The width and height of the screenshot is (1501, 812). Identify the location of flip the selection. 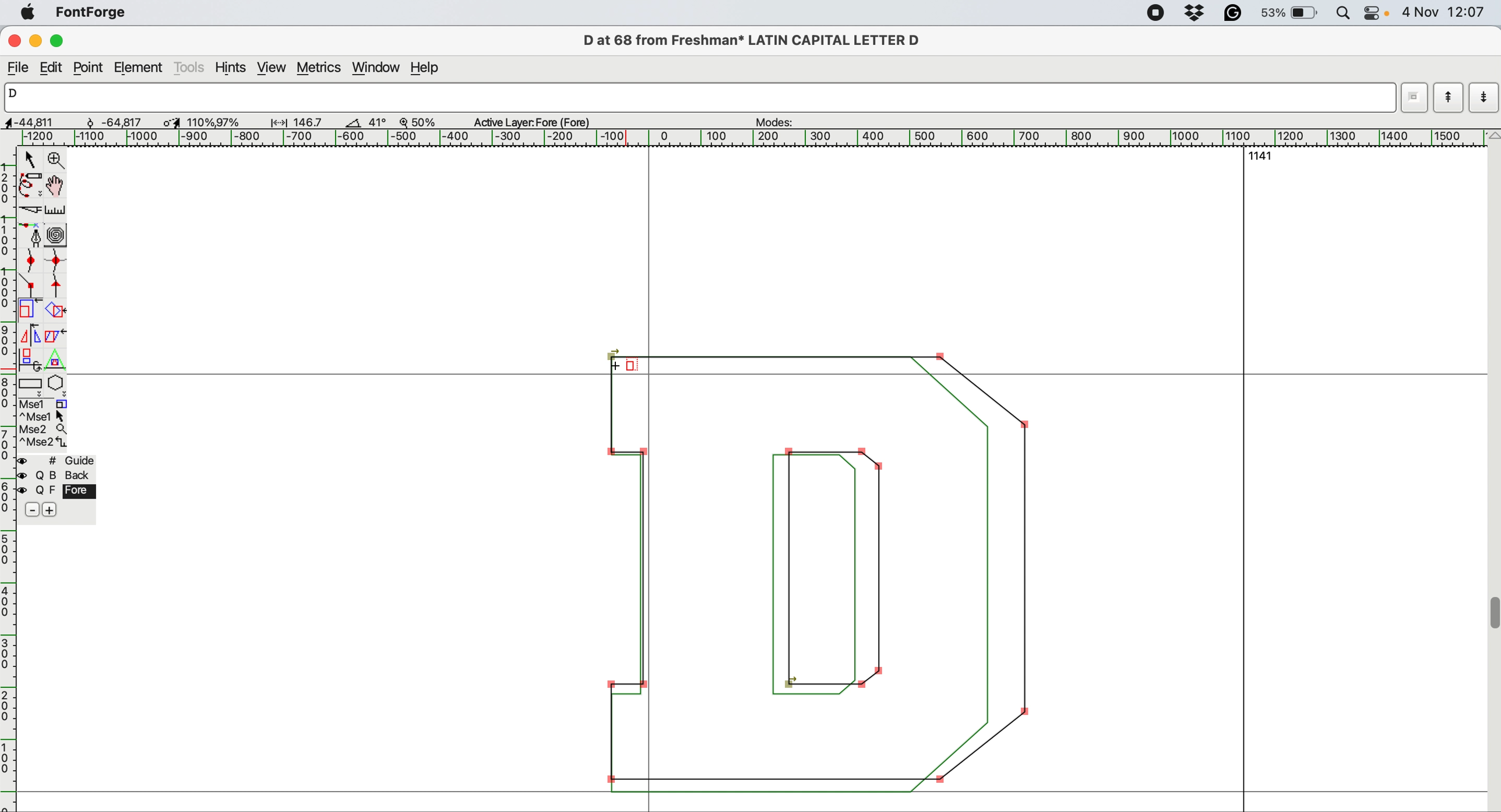
(31, 336).